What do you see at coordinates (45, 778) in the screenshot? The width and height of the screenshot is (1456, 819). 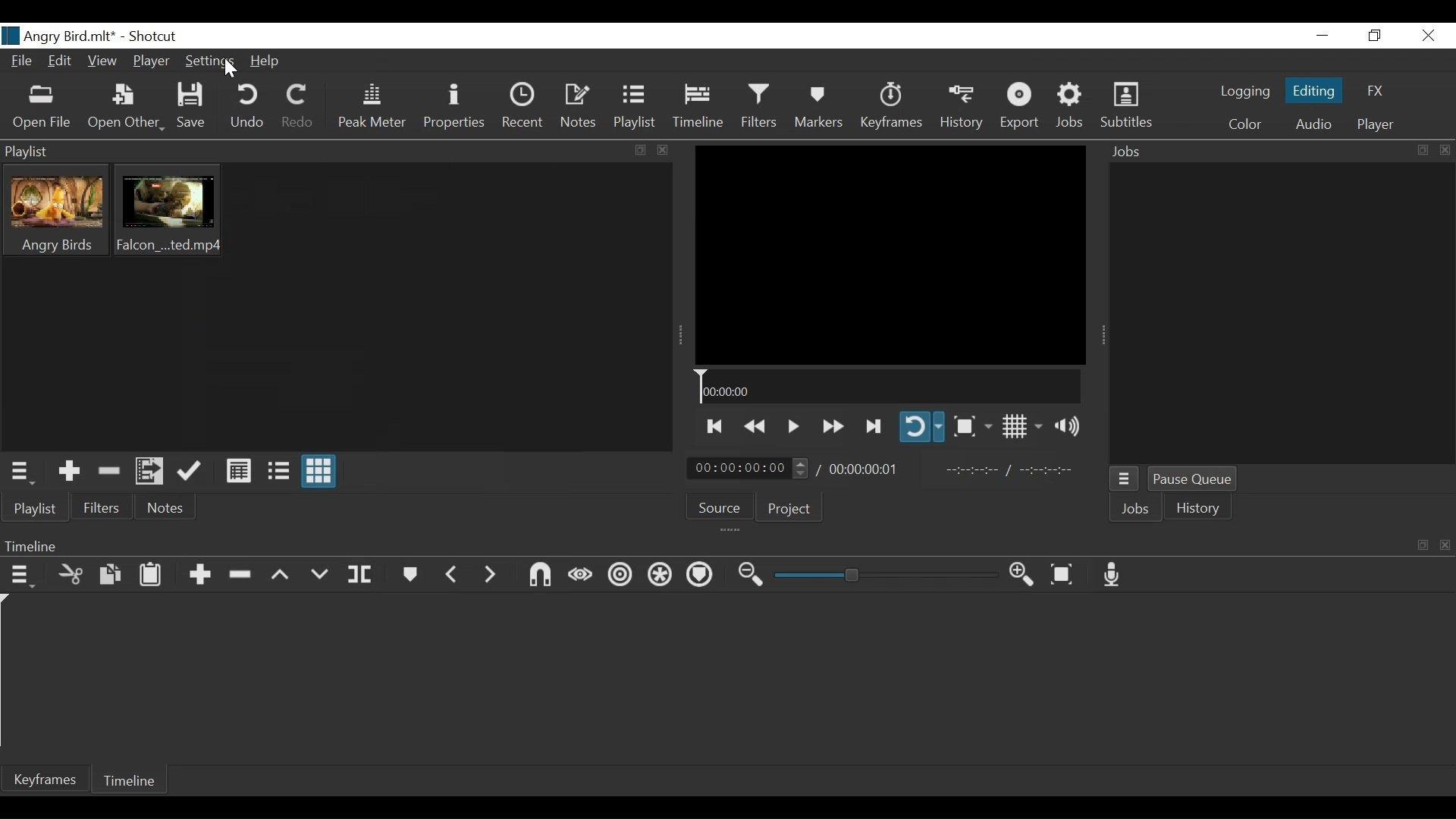 I see `Keyframes` at bounding box center [45, 778].